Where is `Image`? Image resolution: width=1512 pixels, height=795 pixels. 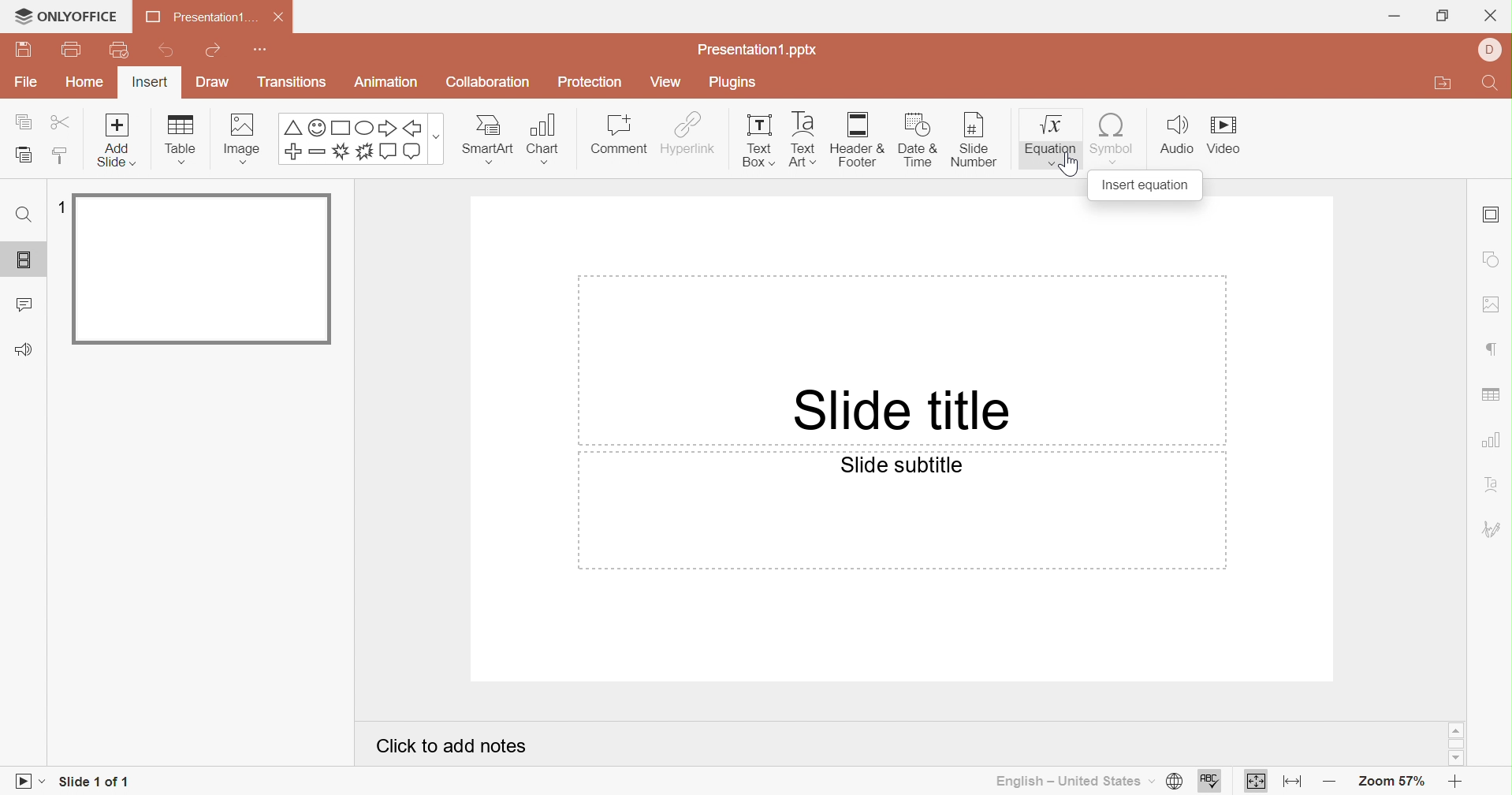
Image is located at coordinates (245, 135).